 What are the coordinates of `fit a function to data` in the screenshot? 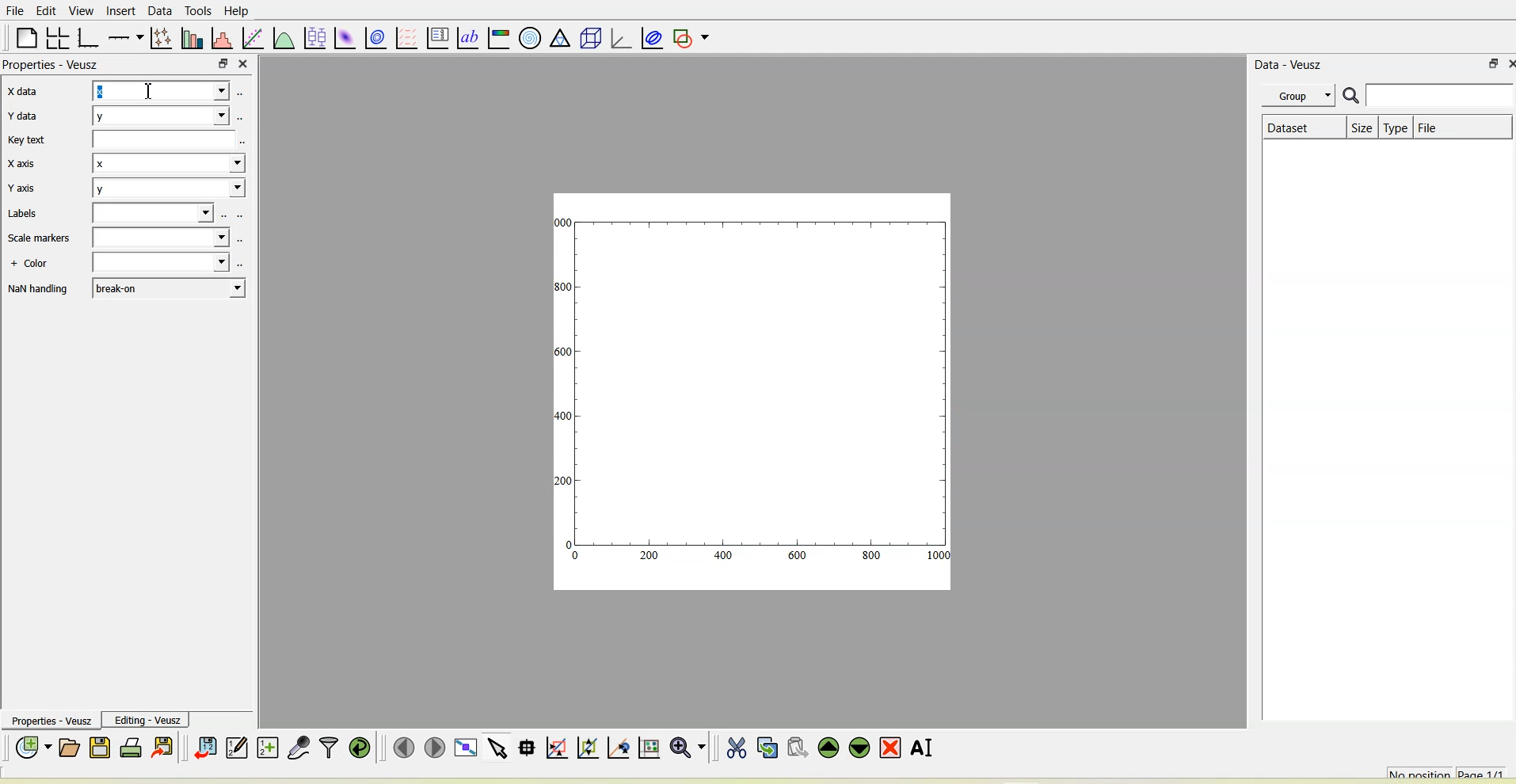 It's located at (252, 38).